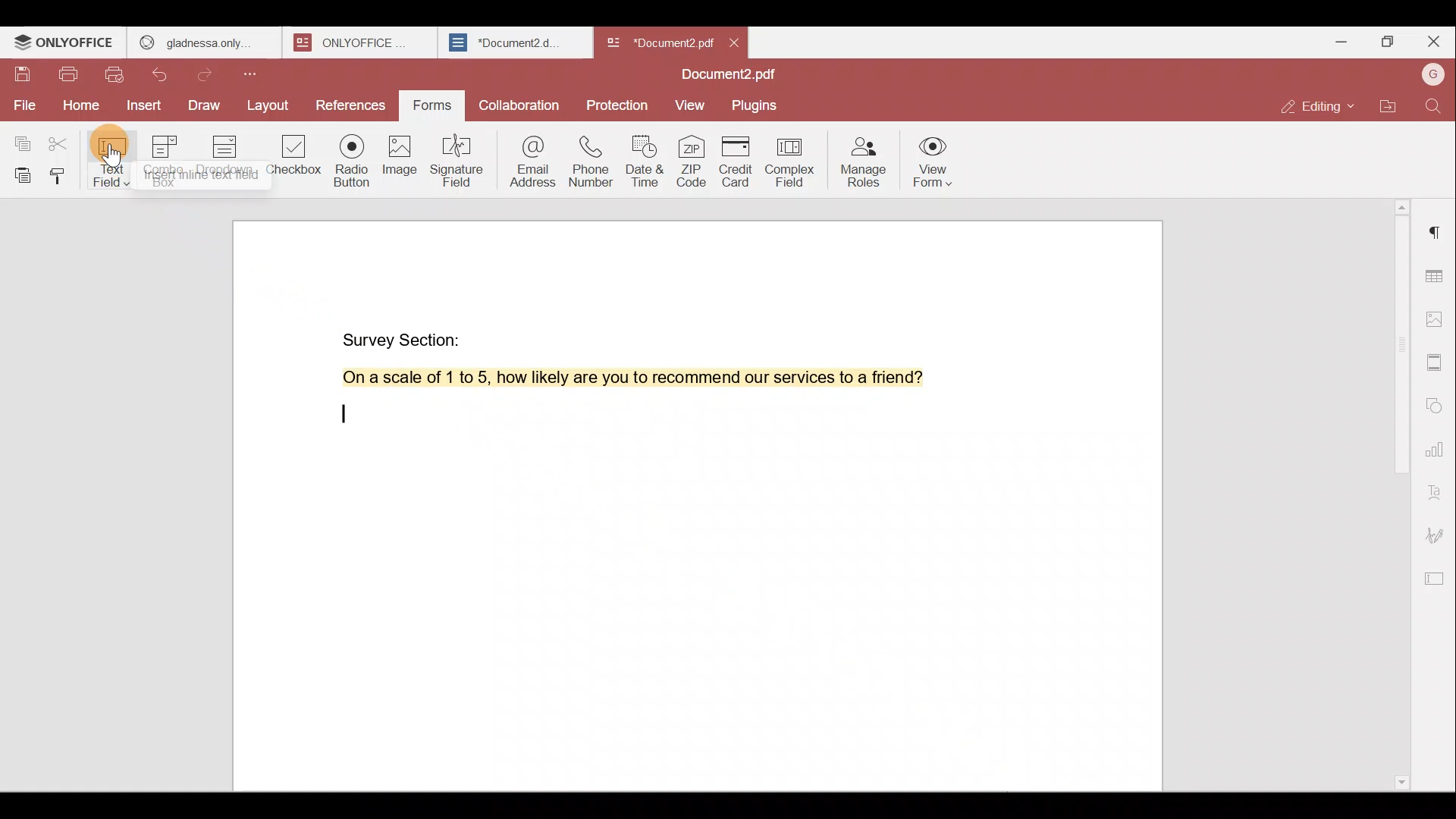 The image size is (1456, 819). What do you see at coordinates (733, 76) in the screenshot?
I see `Document name` at bounding box center [733, 76].